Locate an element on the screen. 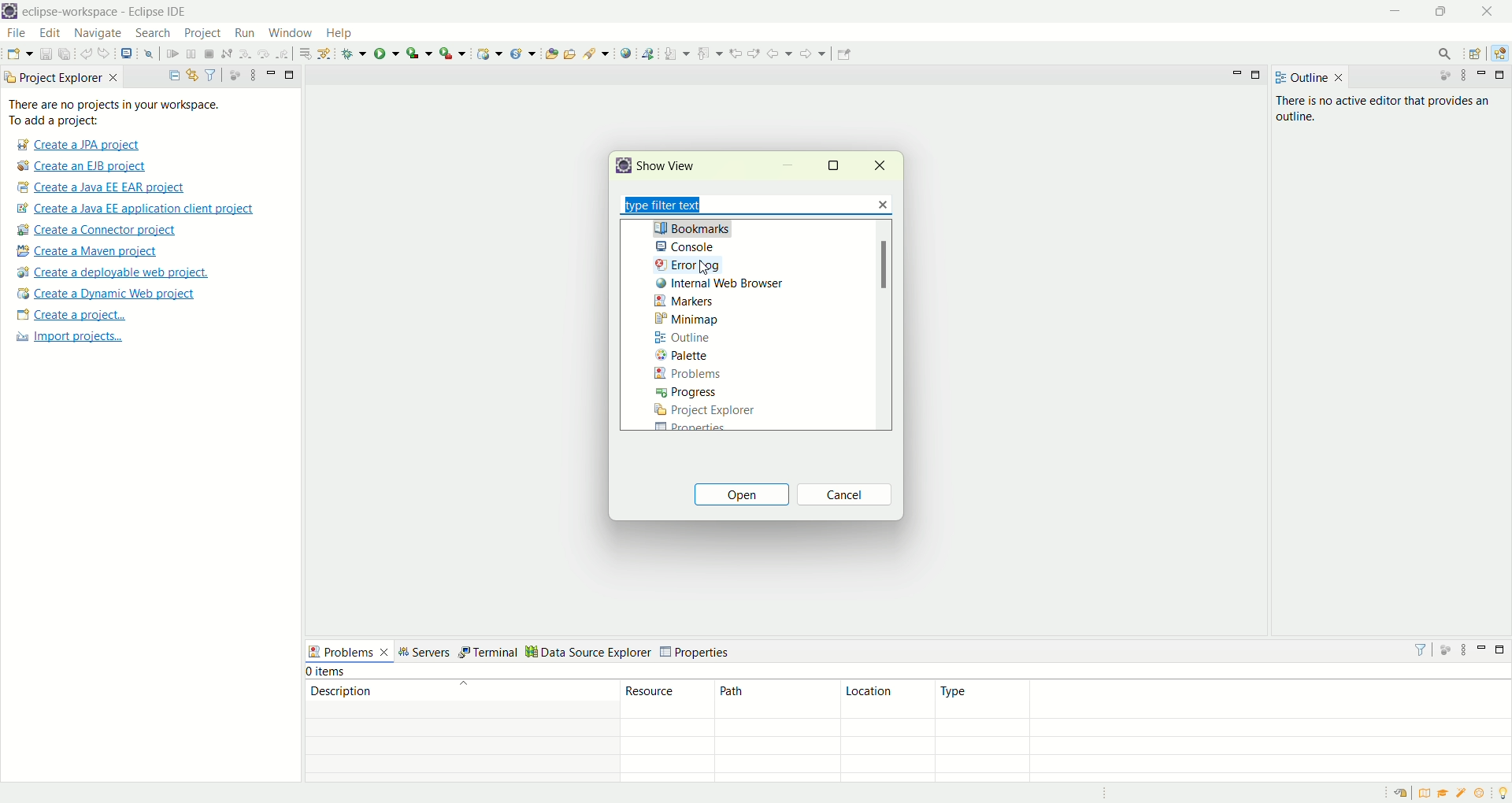 The image size is (1512, 803). edit is located at coordinates (52, 32).